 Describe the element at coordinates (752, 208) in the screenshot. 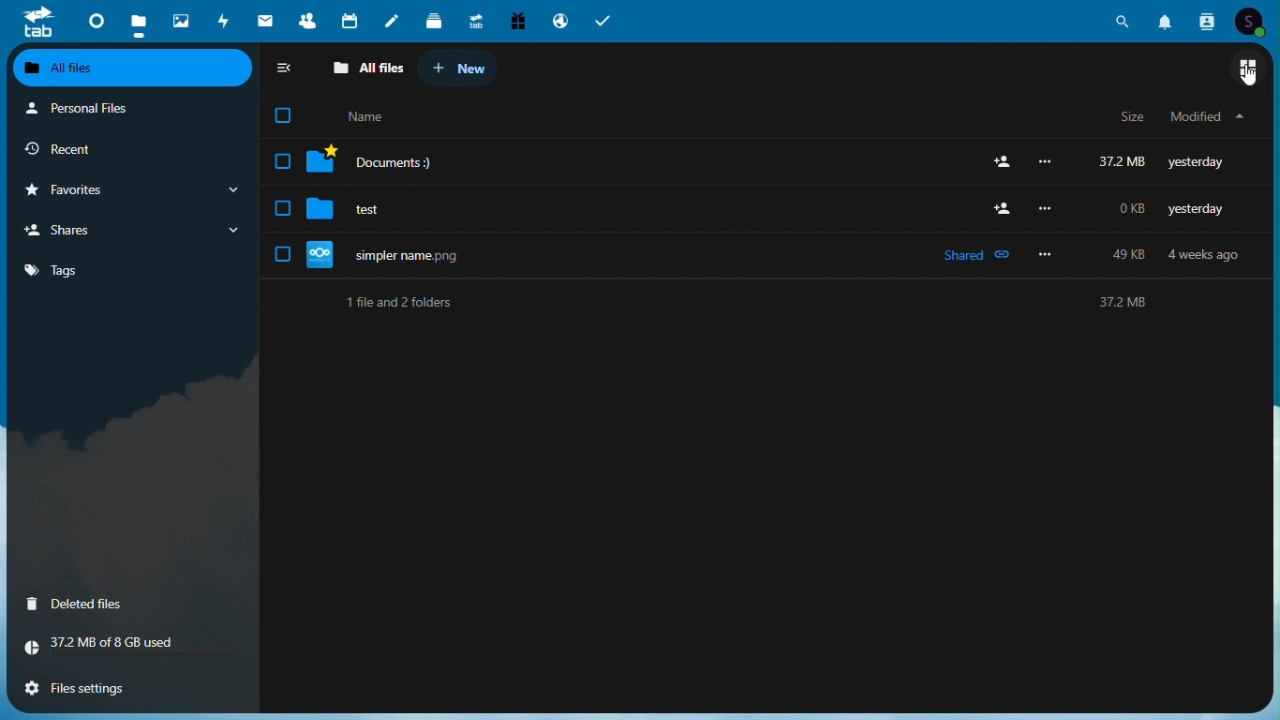

I see `test` at that location.